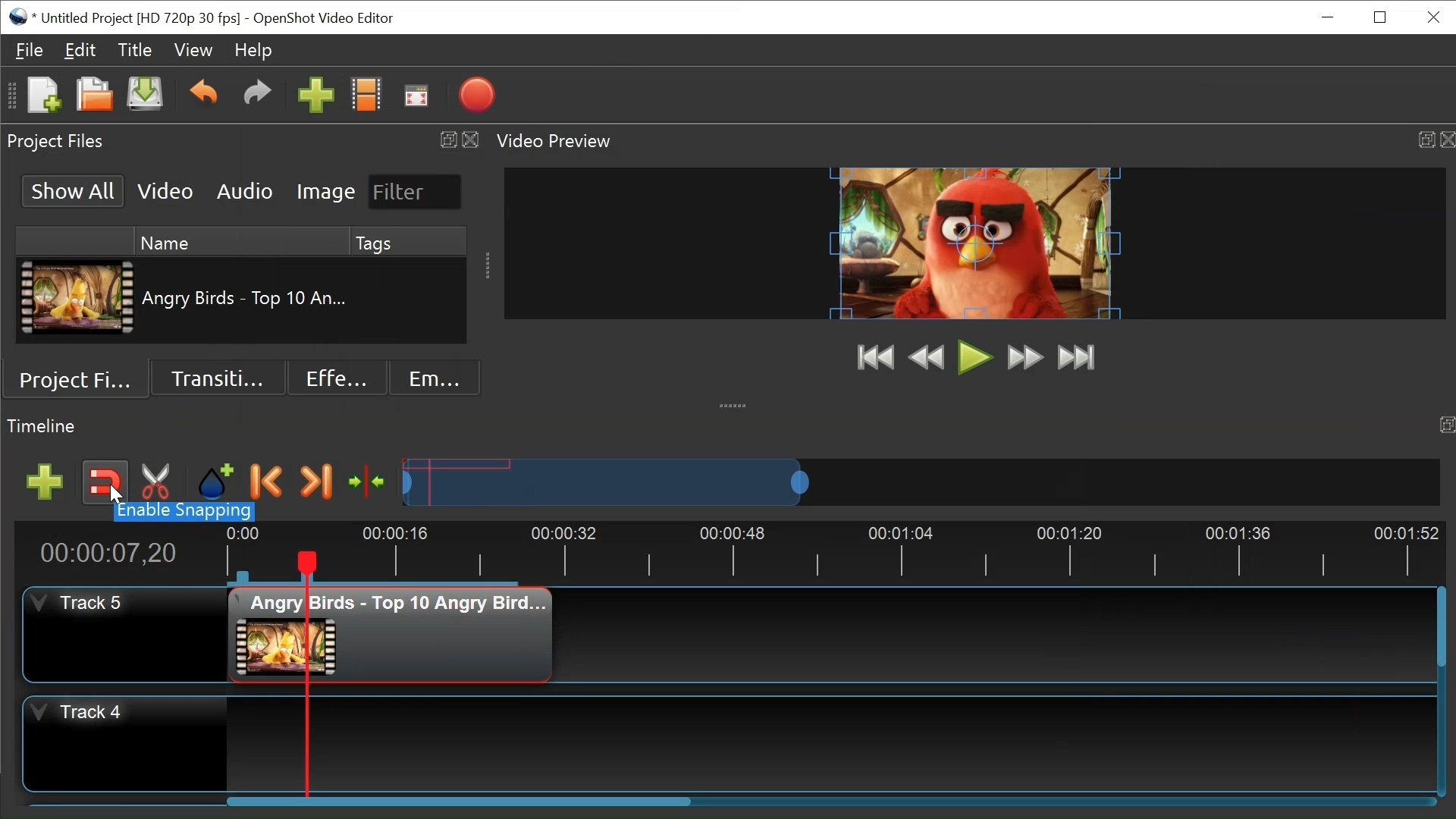 The width and height of the screenshot is (1456, 819). Describe the element at coordinates (393, 634) in the screenshot. I see `Clip at the track Panel` at that location.